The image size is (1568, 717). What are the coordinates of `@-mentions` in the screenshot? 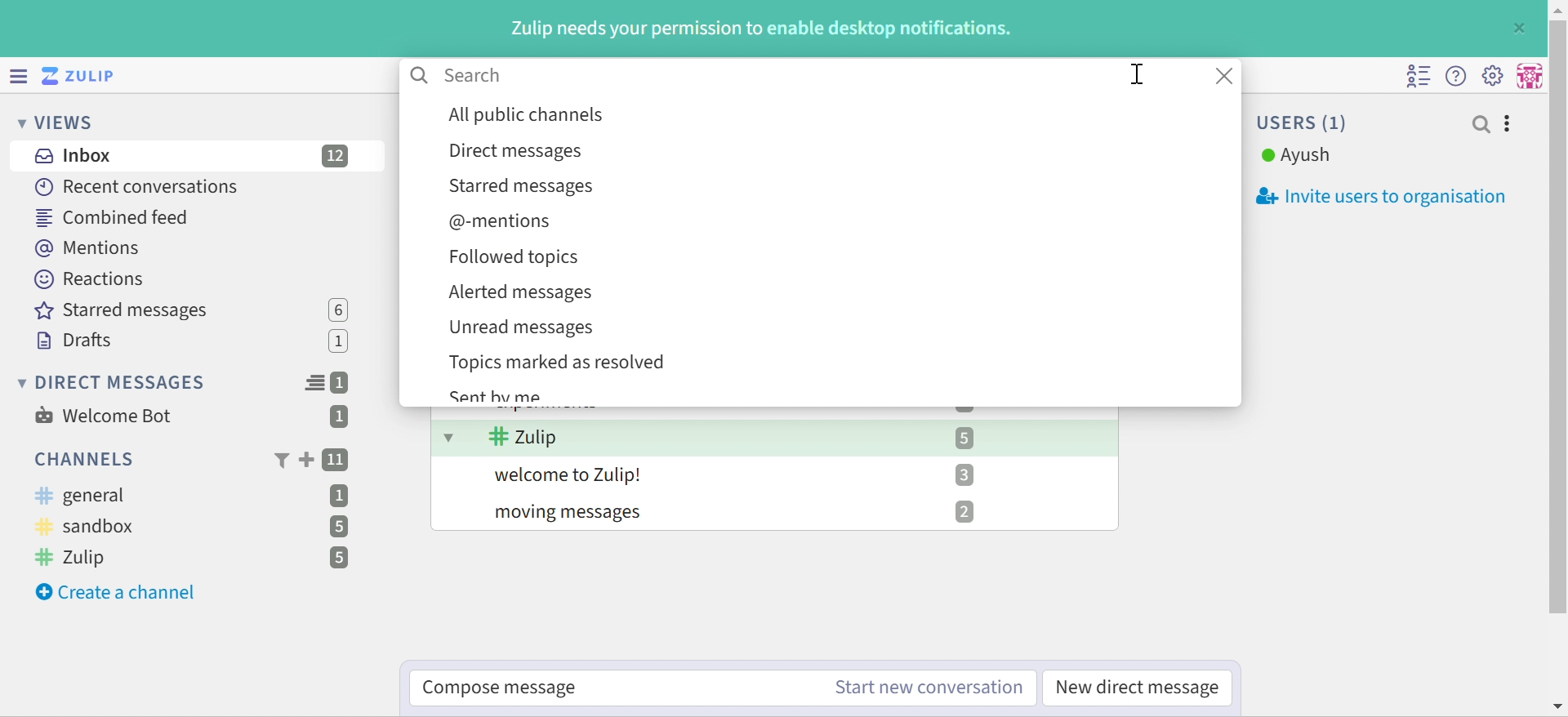 It's located at (498, 222).